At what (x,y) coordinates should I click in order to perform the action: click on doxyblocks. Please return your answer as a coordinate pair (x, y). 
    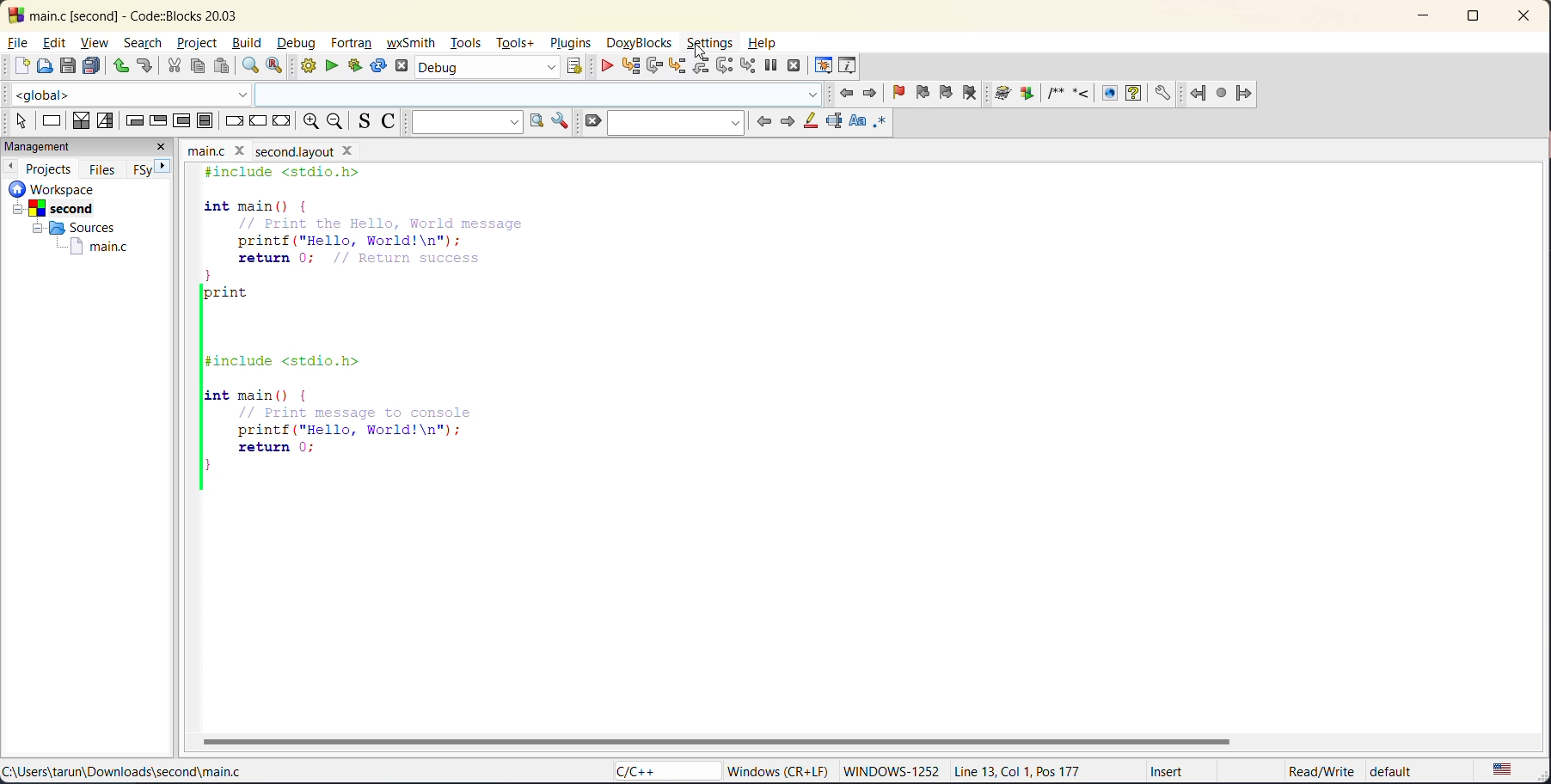
    Looking at the image, I should click on (640, 44).